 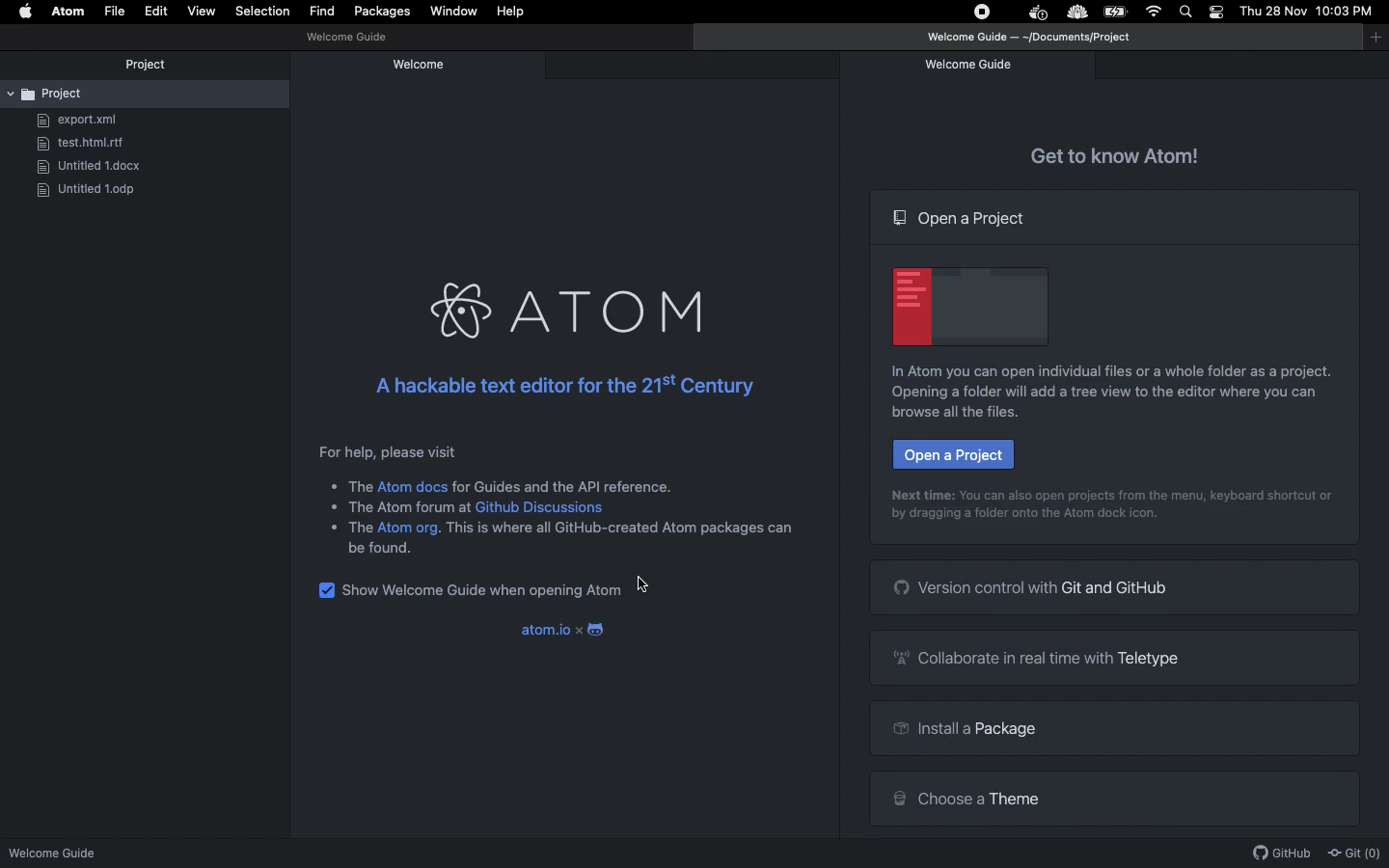 I want to click on Date, so click(x=1274, y=12).